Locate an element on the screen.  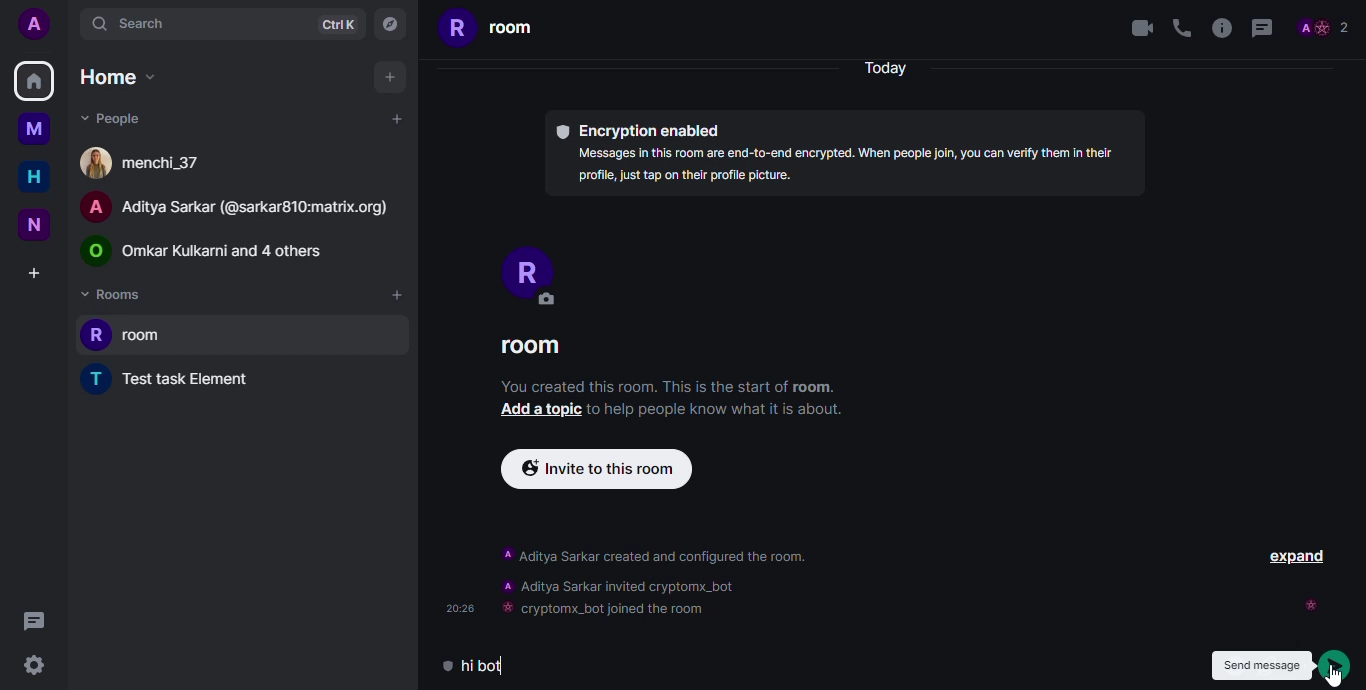
profile is located at coordinates (1327, 25).